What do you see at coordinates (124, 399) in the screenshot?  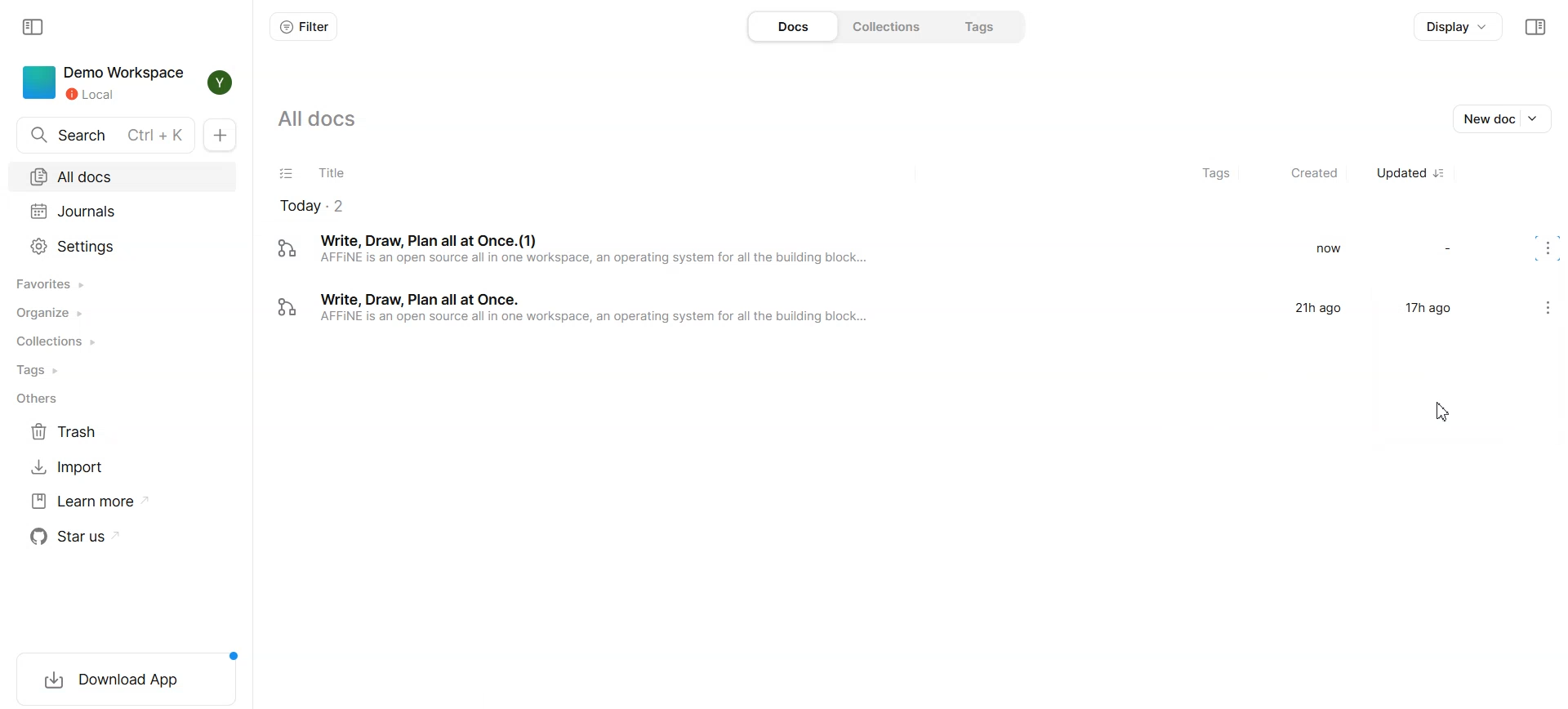 I see `Others` at bounding box center [124, 399].